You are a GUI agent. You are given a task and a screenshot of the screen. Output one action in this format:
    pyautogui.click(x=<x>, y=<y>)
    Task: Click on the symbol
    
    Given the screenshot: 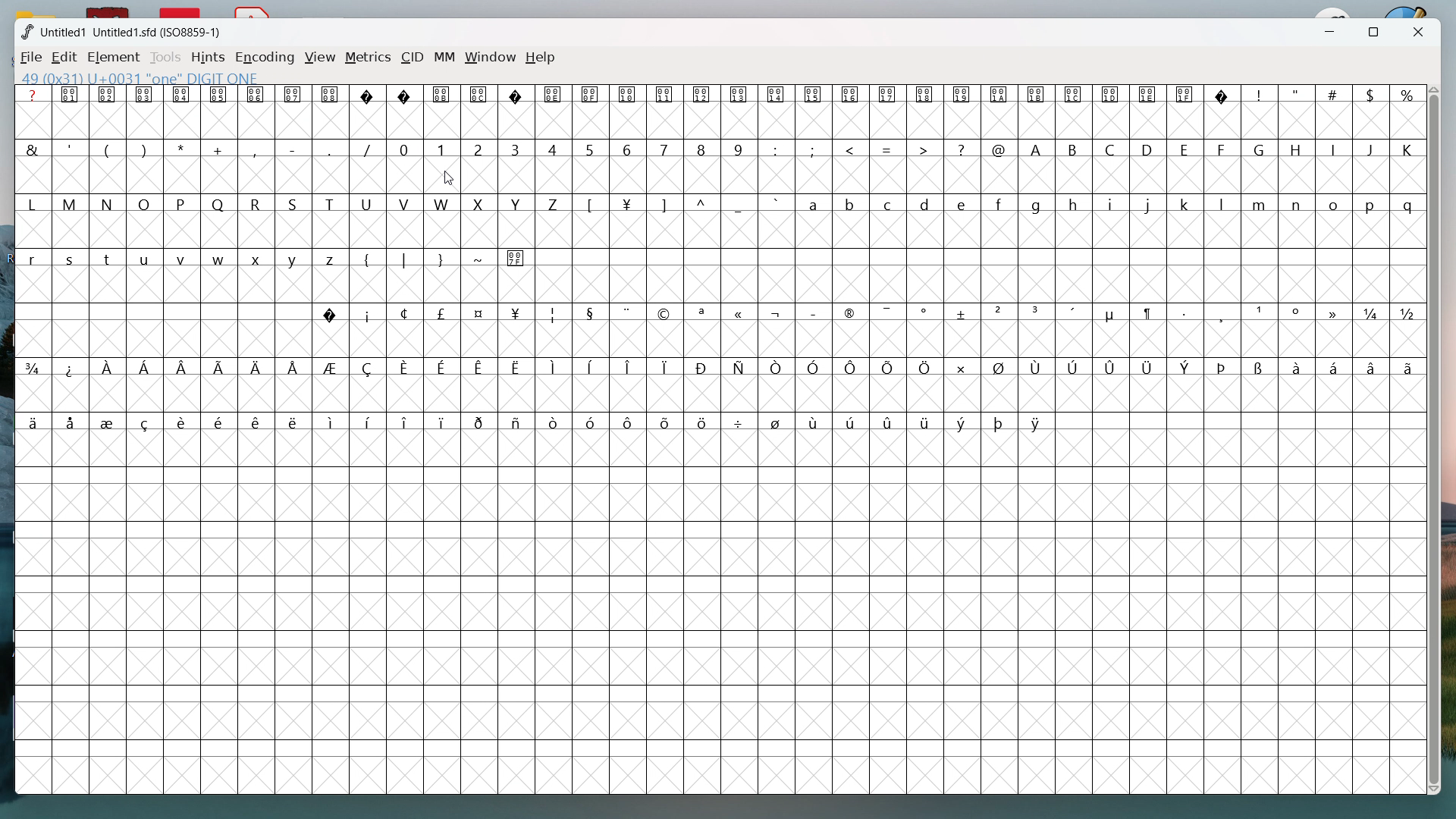 What is the action you would take?
    pyautogui.click(x=1039, y=312)
    